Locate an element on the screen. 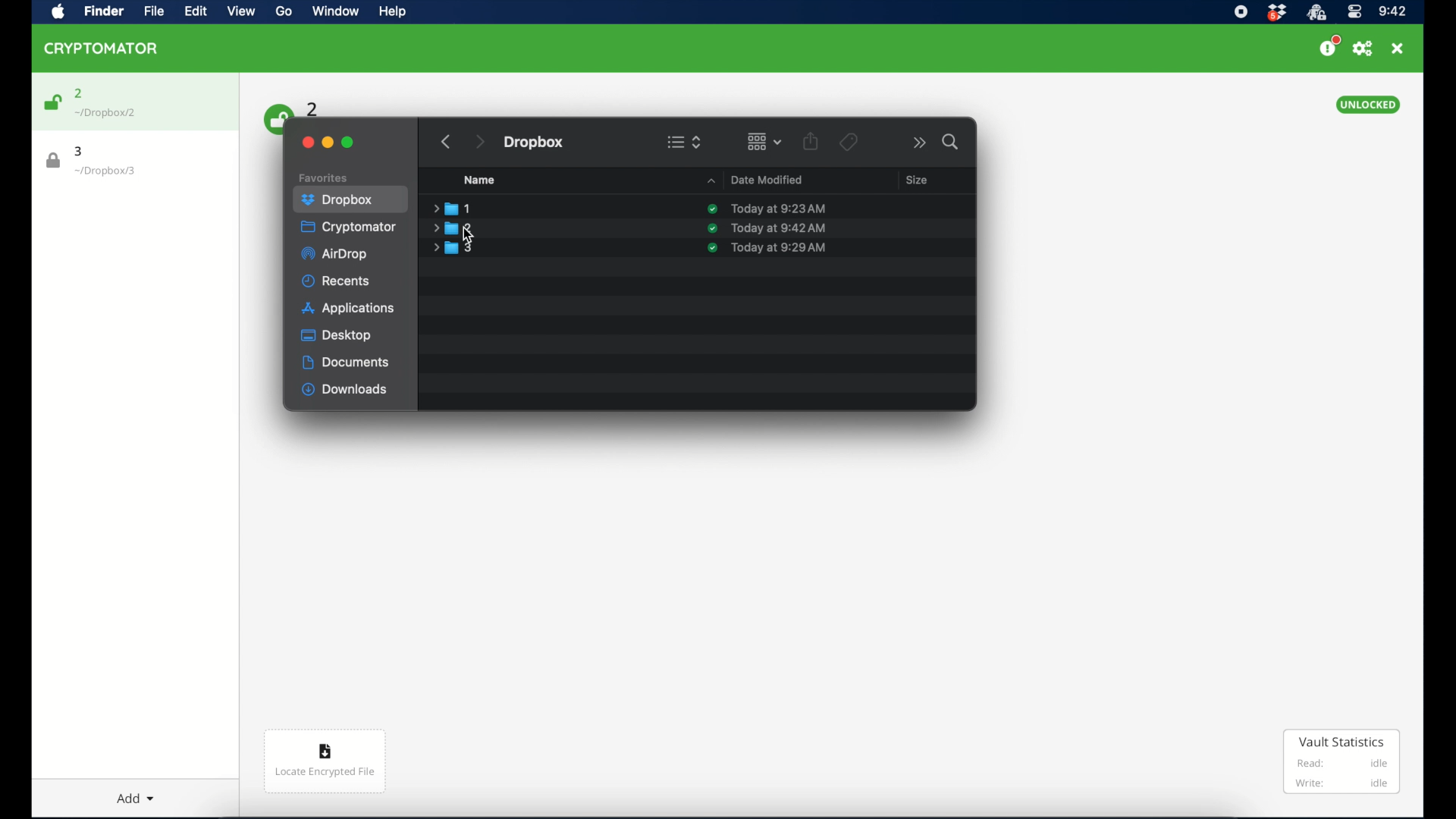 This screenshot has width=1456, height=819. 2 is located at coordinates (313, 108).